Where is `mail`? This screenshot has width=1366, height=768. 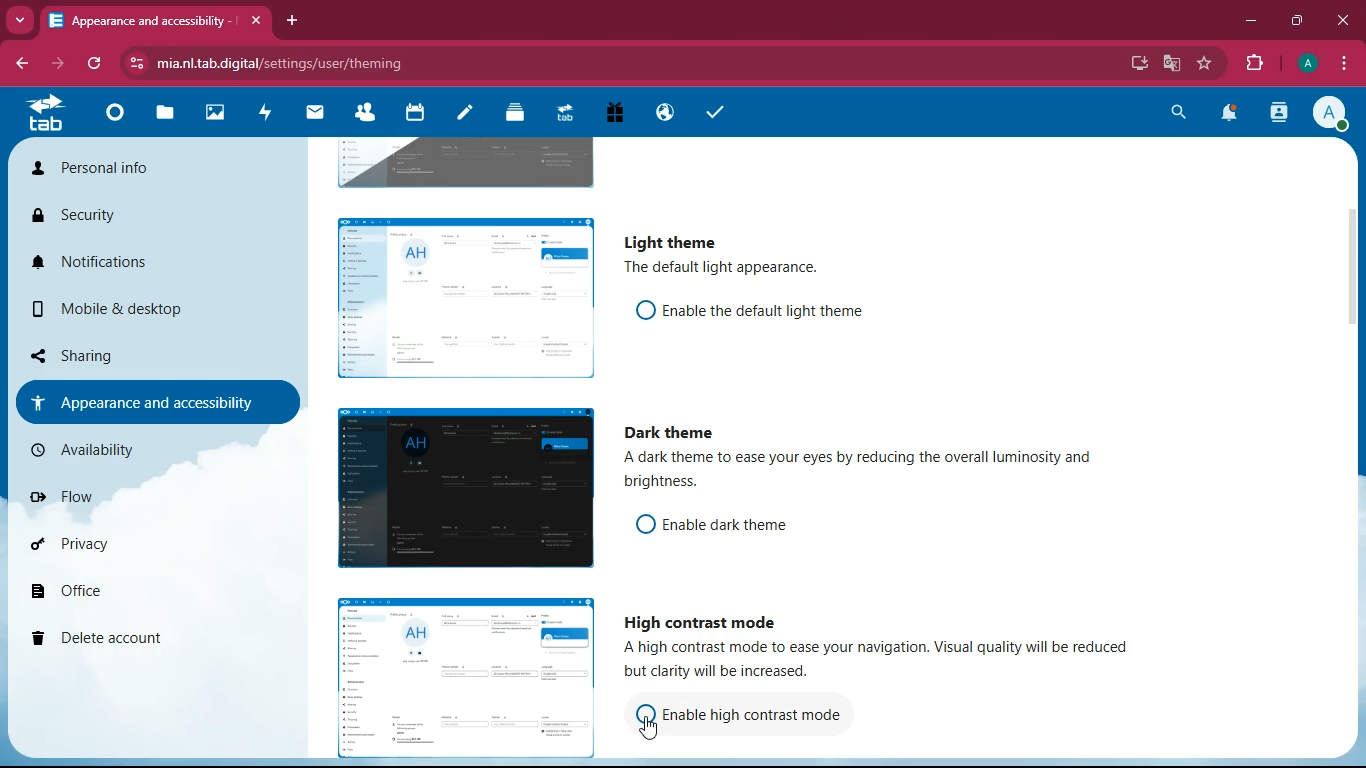
mail is located at coordinates (316, 115).